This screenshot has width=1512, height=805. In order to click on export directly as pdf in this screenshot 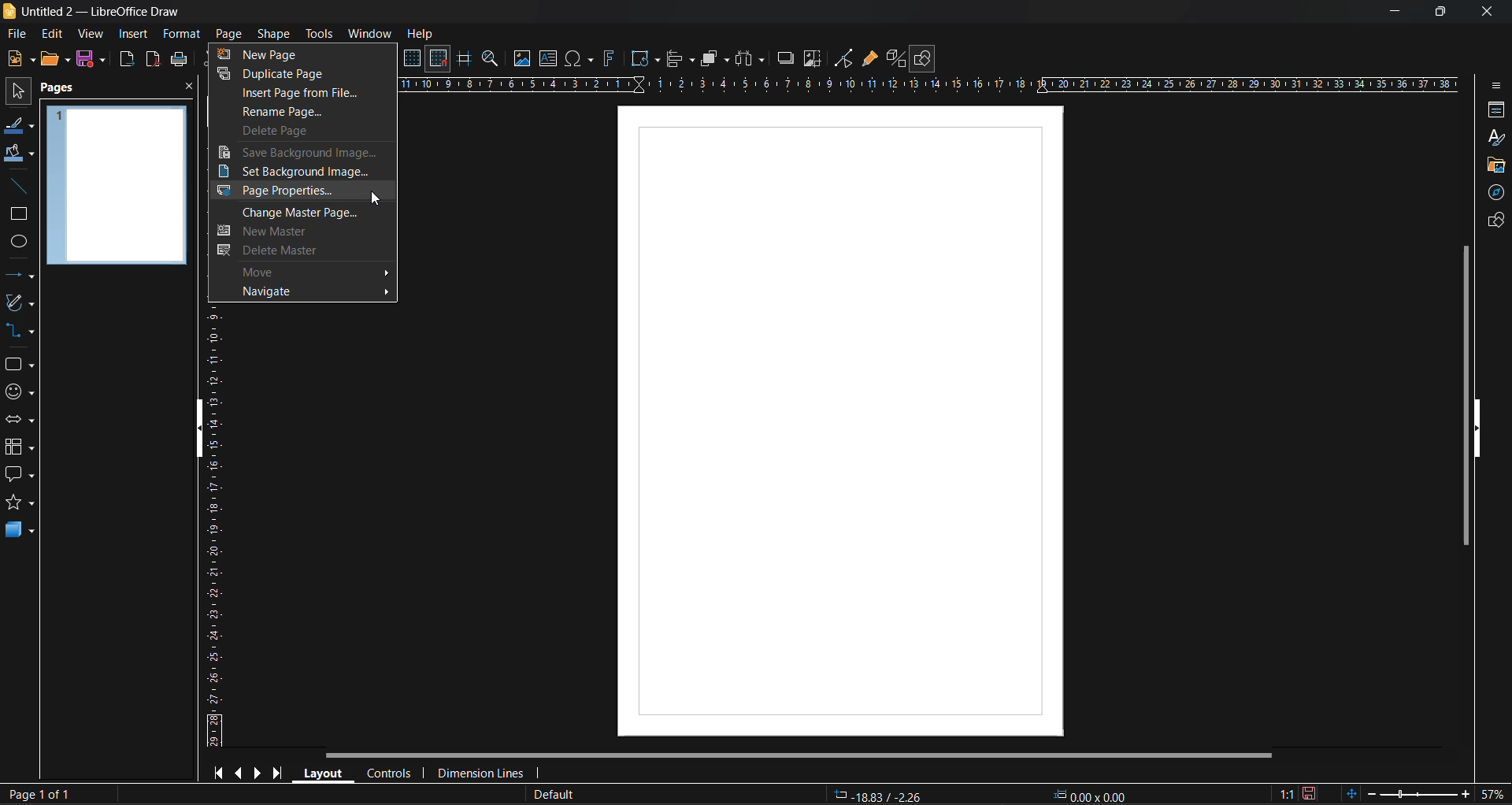, I will do `click(152, 59)`.